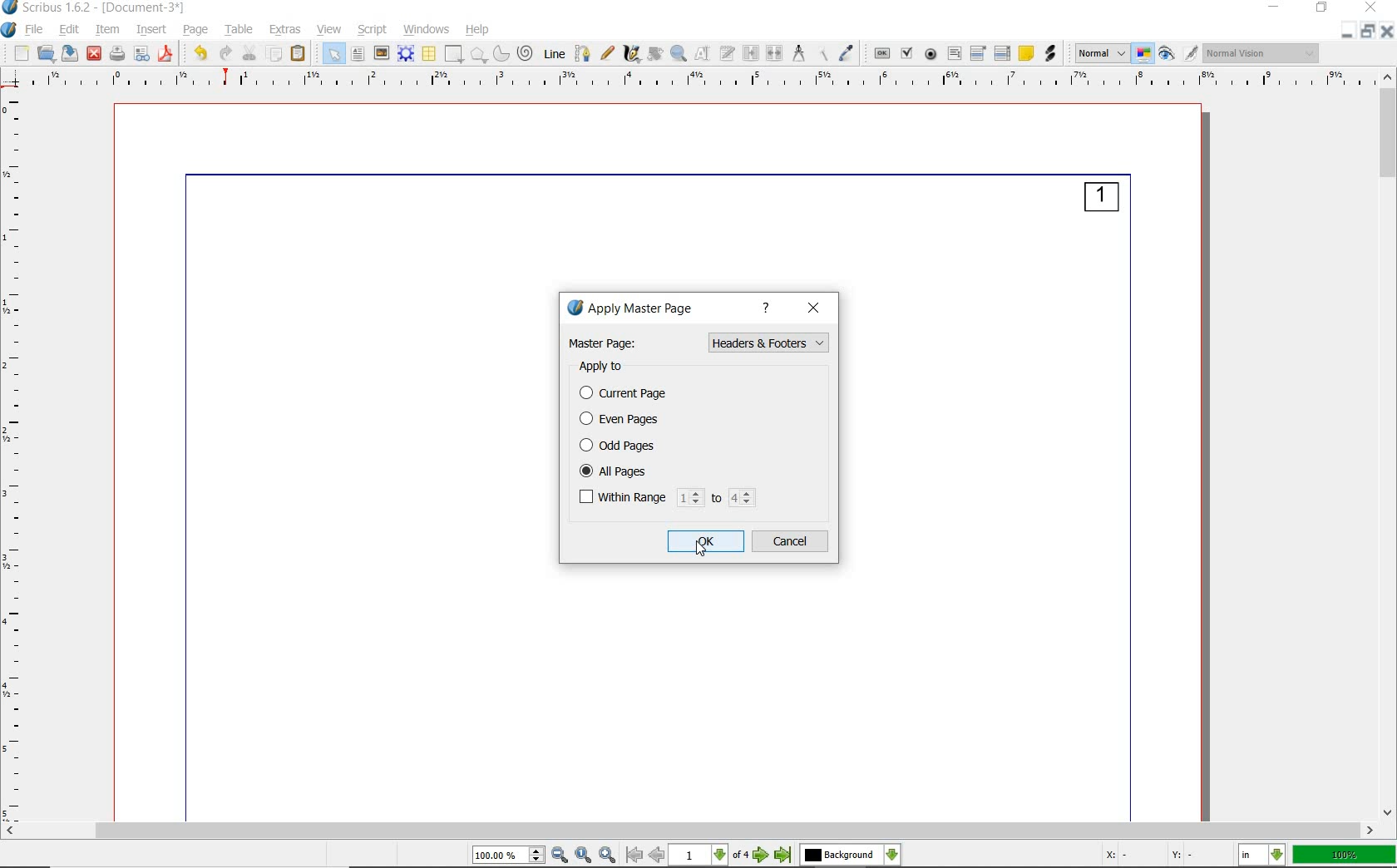 The height and width of the screenshot is (868, 1397). What do you see at coordinates (357, 54) in the screenshot?
I see `text frame` at bounding box center [357, 54].